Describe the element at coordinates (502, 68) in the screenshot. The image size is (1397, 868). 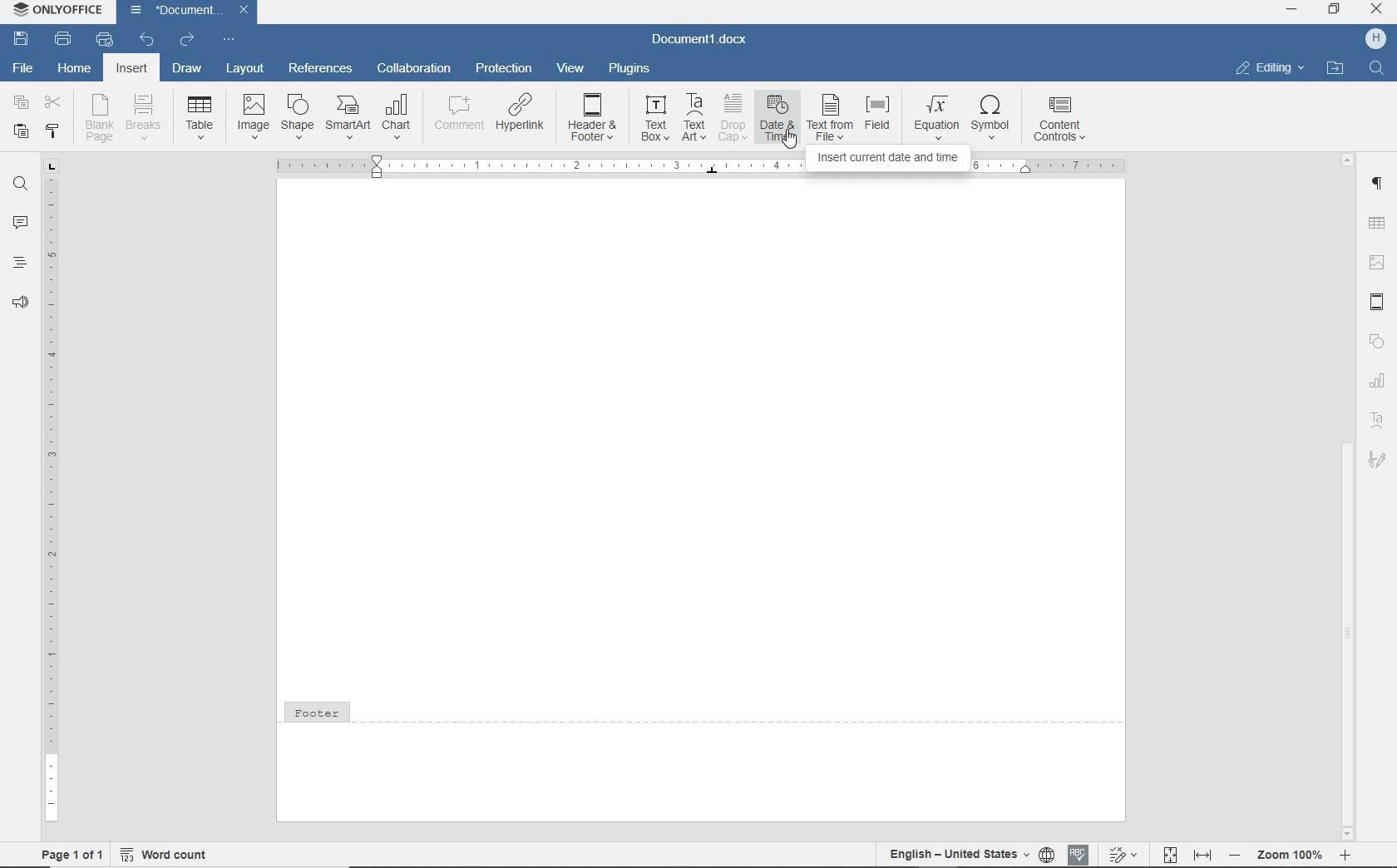
I see `protection` at that location.